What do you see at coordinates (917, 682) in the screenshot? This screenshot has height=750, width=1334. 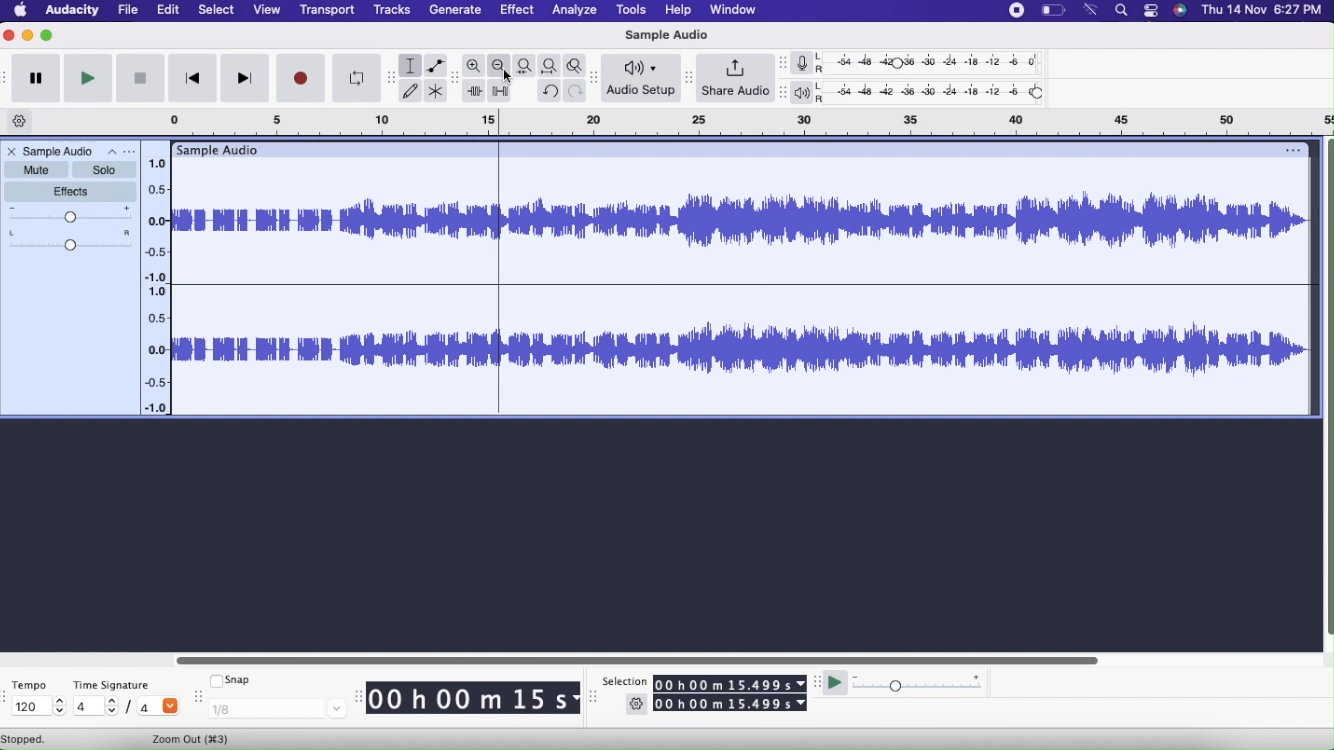 I see `Playback speed` at bounding box center [917, 682].